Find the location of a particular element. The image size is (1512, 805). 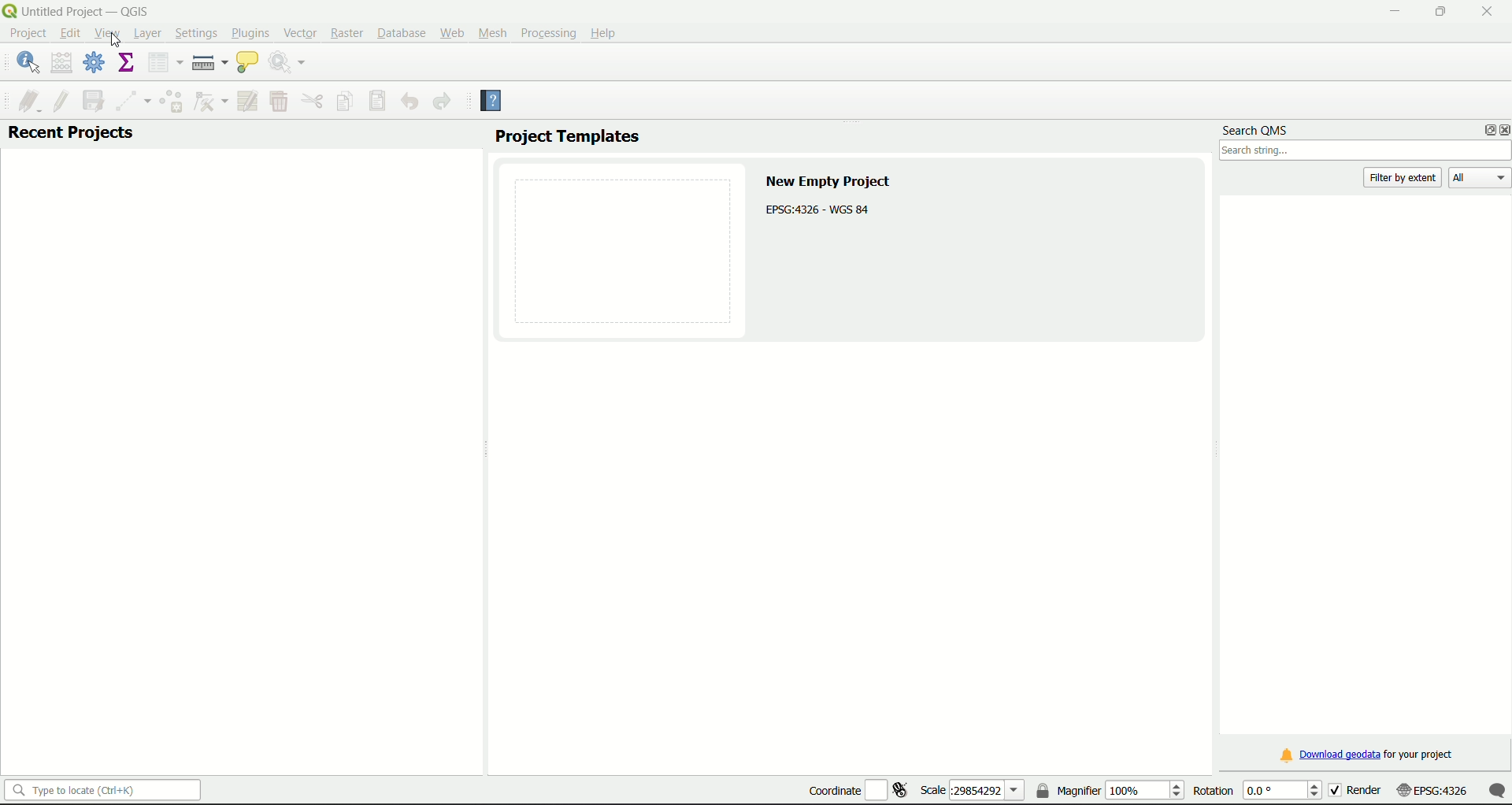

 is located at coordinates (280, 102).